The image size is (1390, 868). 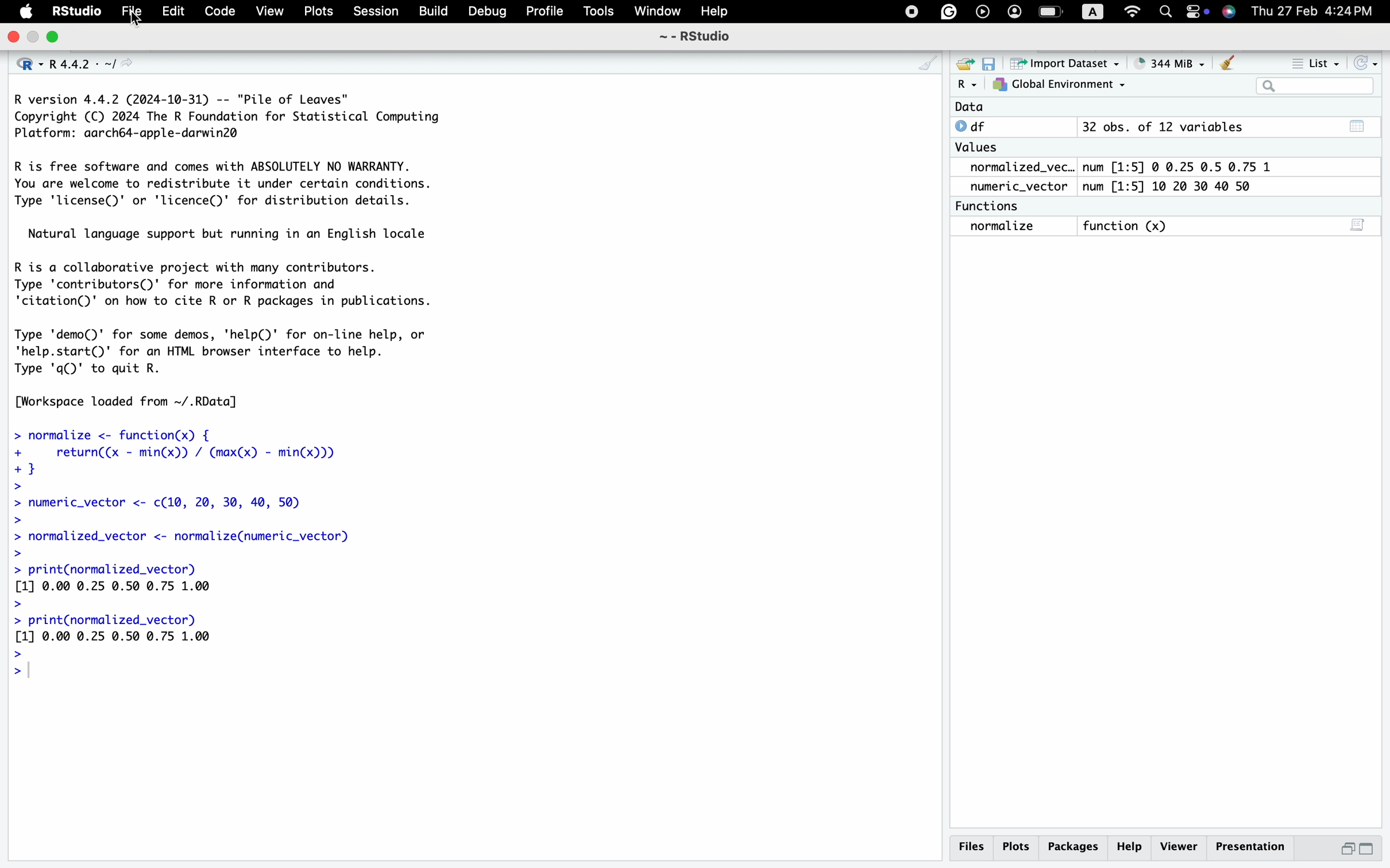 I want to click on R dropodown, so click(x=28, y=64).